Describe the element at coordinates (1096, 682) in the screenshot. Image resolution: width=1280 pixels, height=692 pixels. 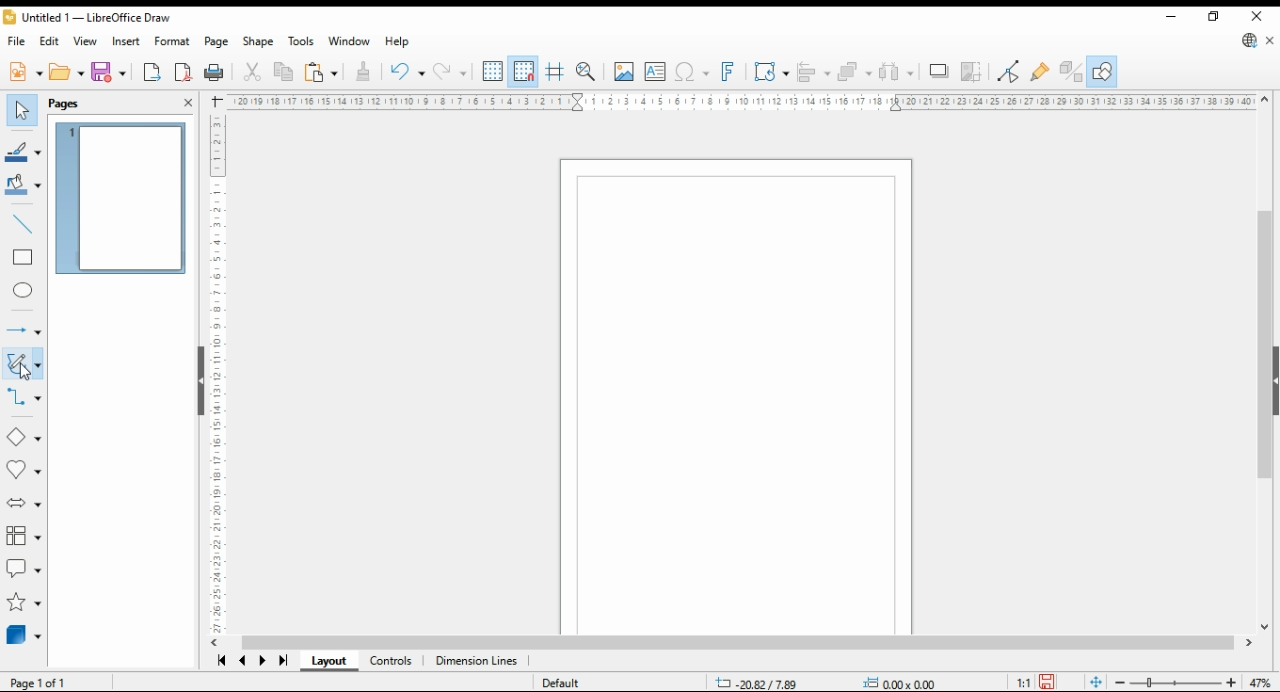
I see `fit document to window` at that location.